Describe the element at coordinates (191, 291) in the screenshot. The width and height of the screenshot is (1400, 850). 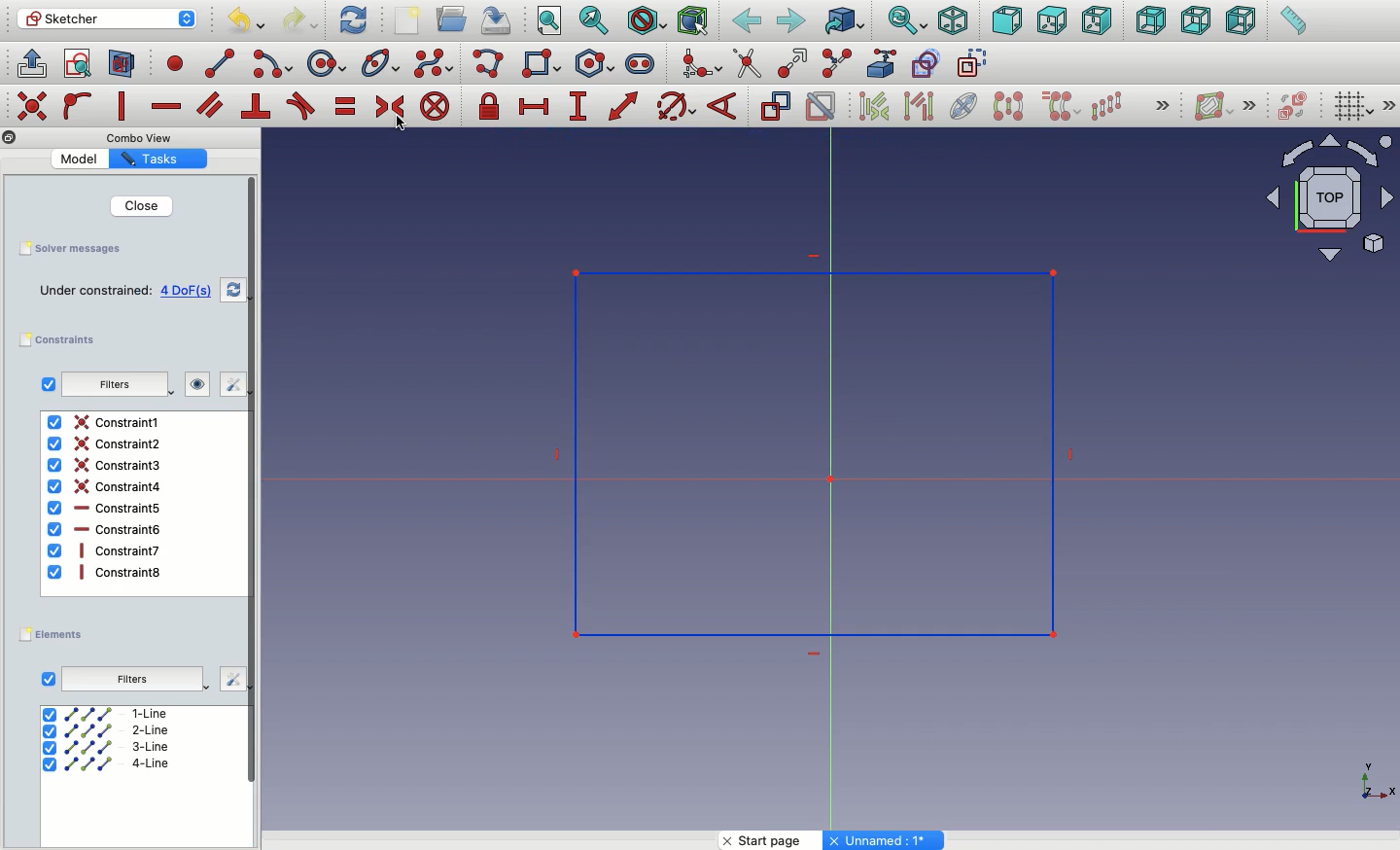
I see `4 DoFs` at that location.